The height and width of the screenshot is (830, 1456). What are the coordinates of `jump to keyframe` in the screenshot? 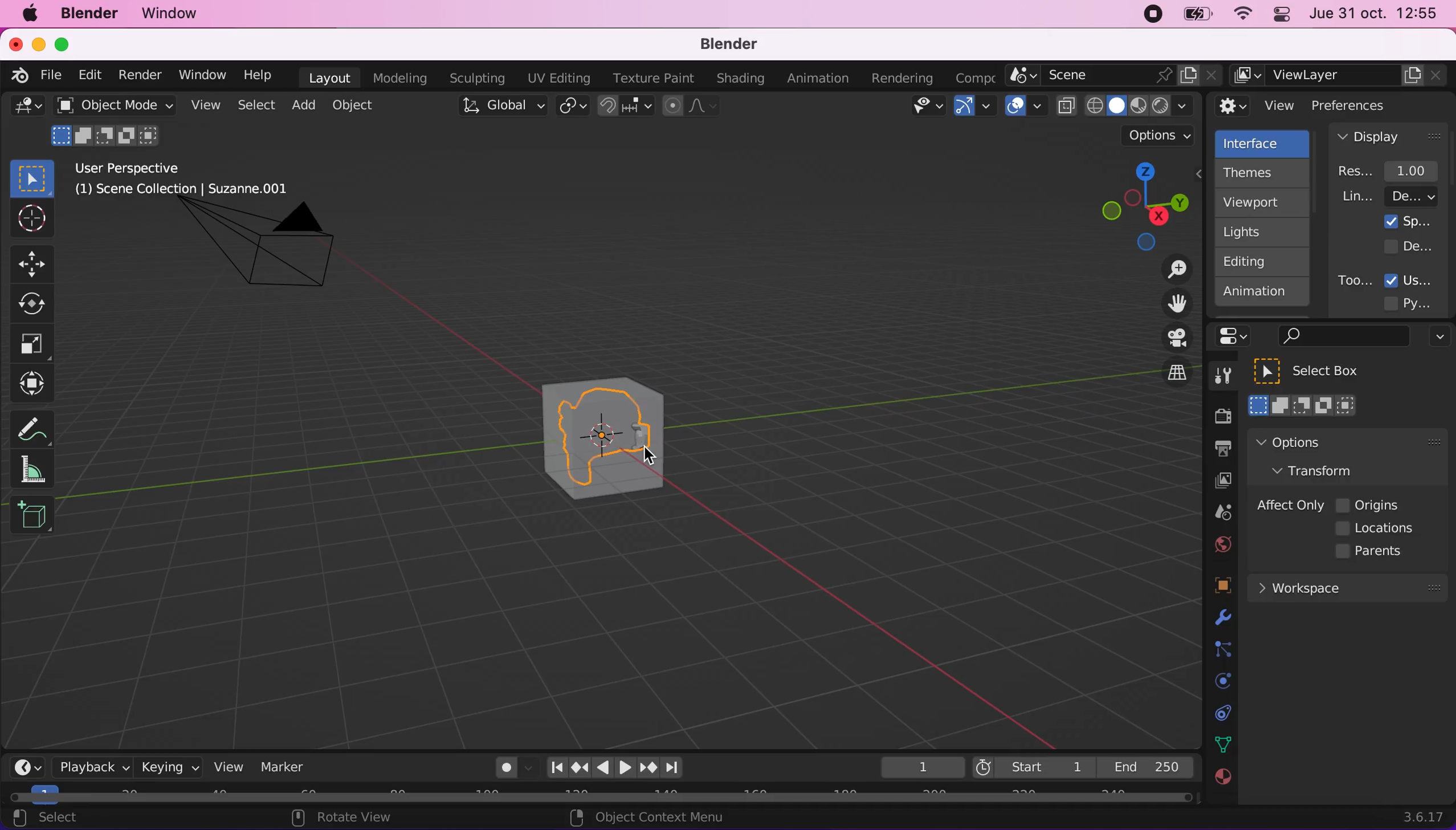 It's located at (649, 770).